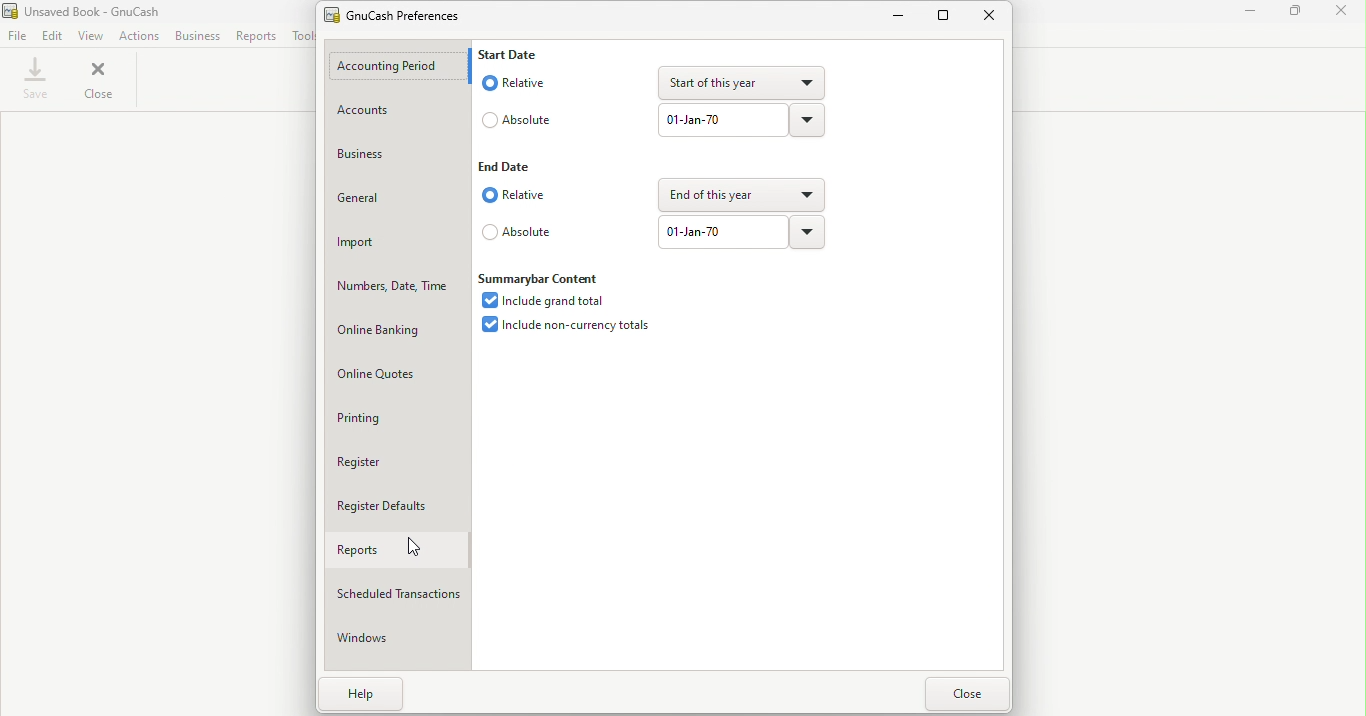 This screenshot has height=716, width=1366. What do you see at coordinates (398, 634) in the screenshot?
I see `Windows` at bounding box center [398, 634].